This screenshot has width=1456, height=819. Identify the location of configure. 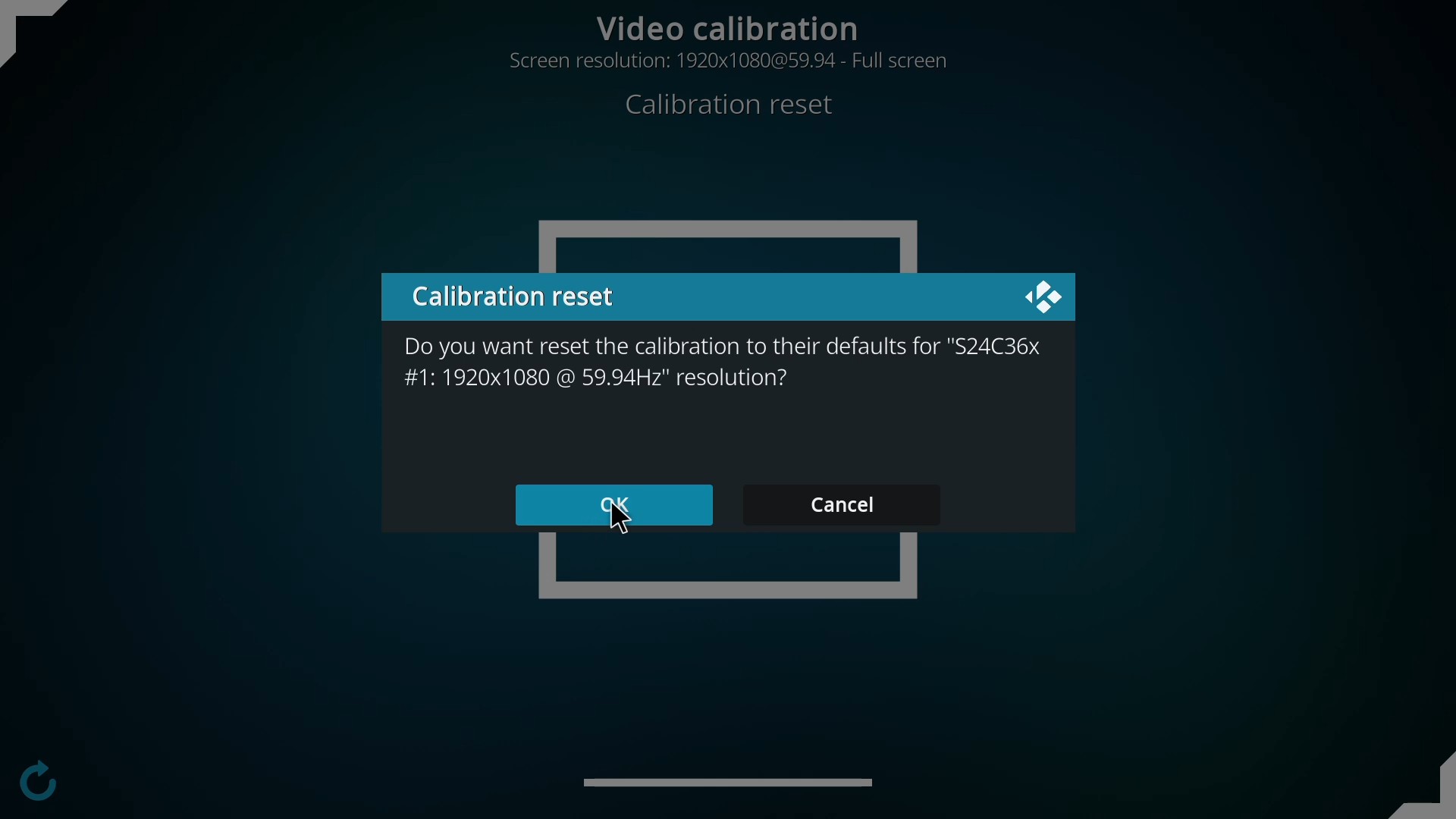
(38, 783).